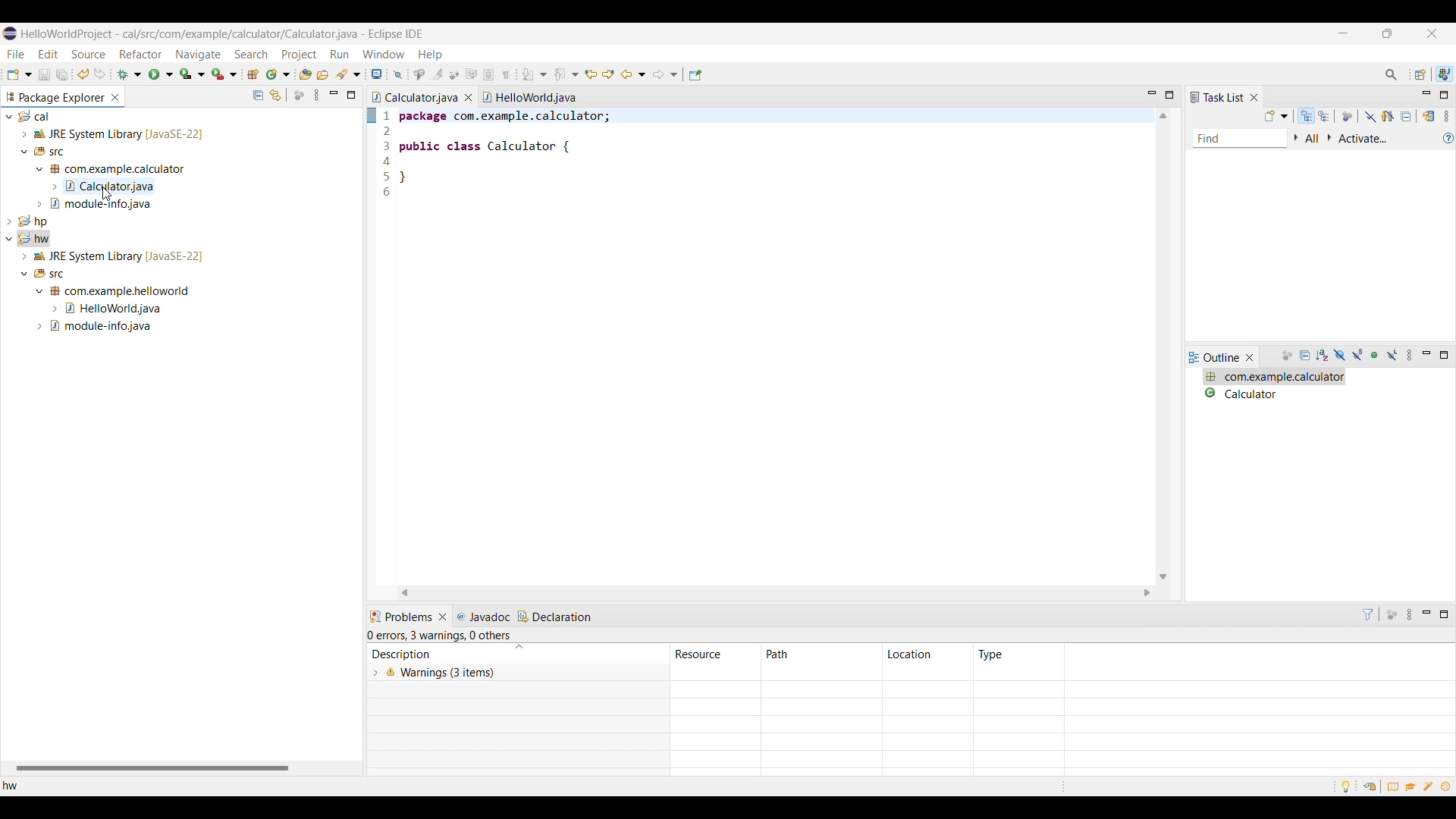 Image resolution: width=1456 pixels, height=819 pixels. What do you see at coordinates (992, 654) in the screenshot?
I see `Type` at bounding box center [992, 654].